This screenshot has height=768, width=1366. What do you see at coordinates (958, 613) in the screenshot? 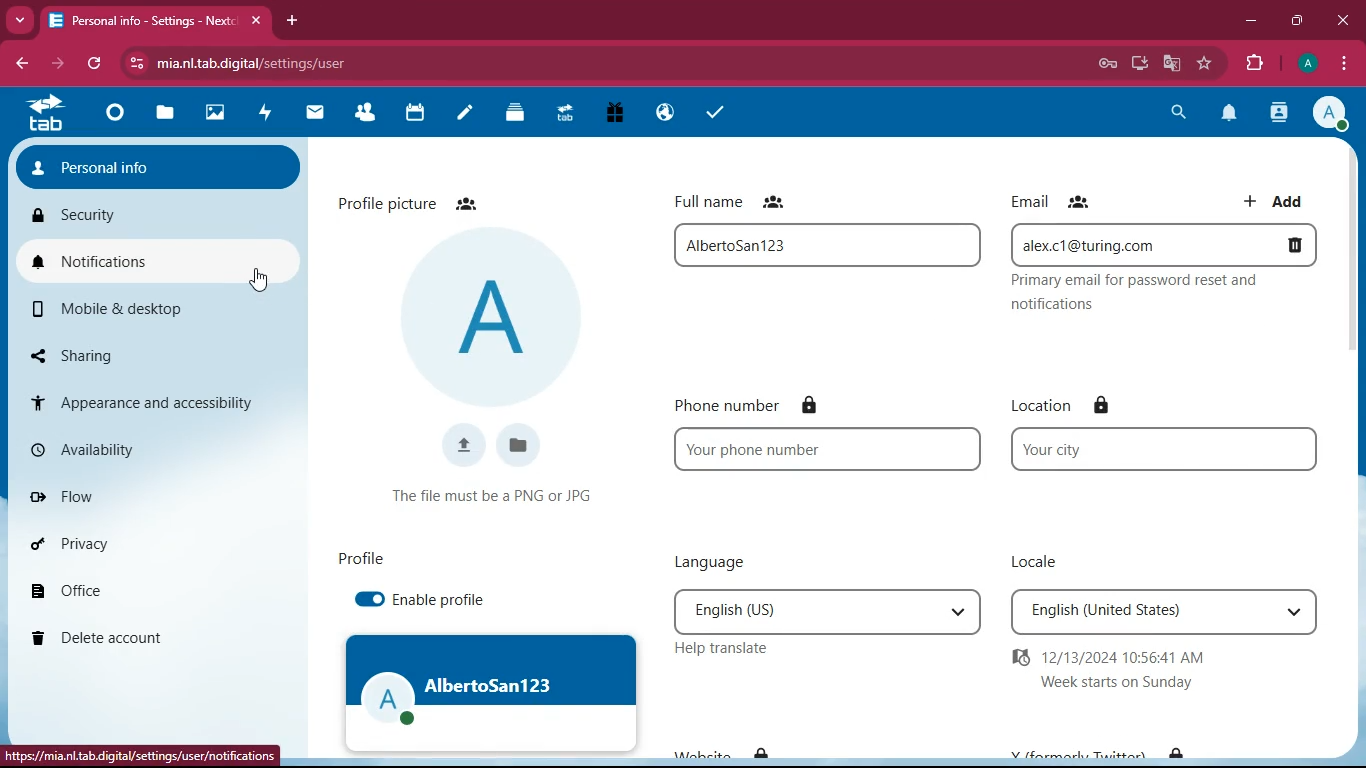
I see `drop down` at bounding box center [958, 613].